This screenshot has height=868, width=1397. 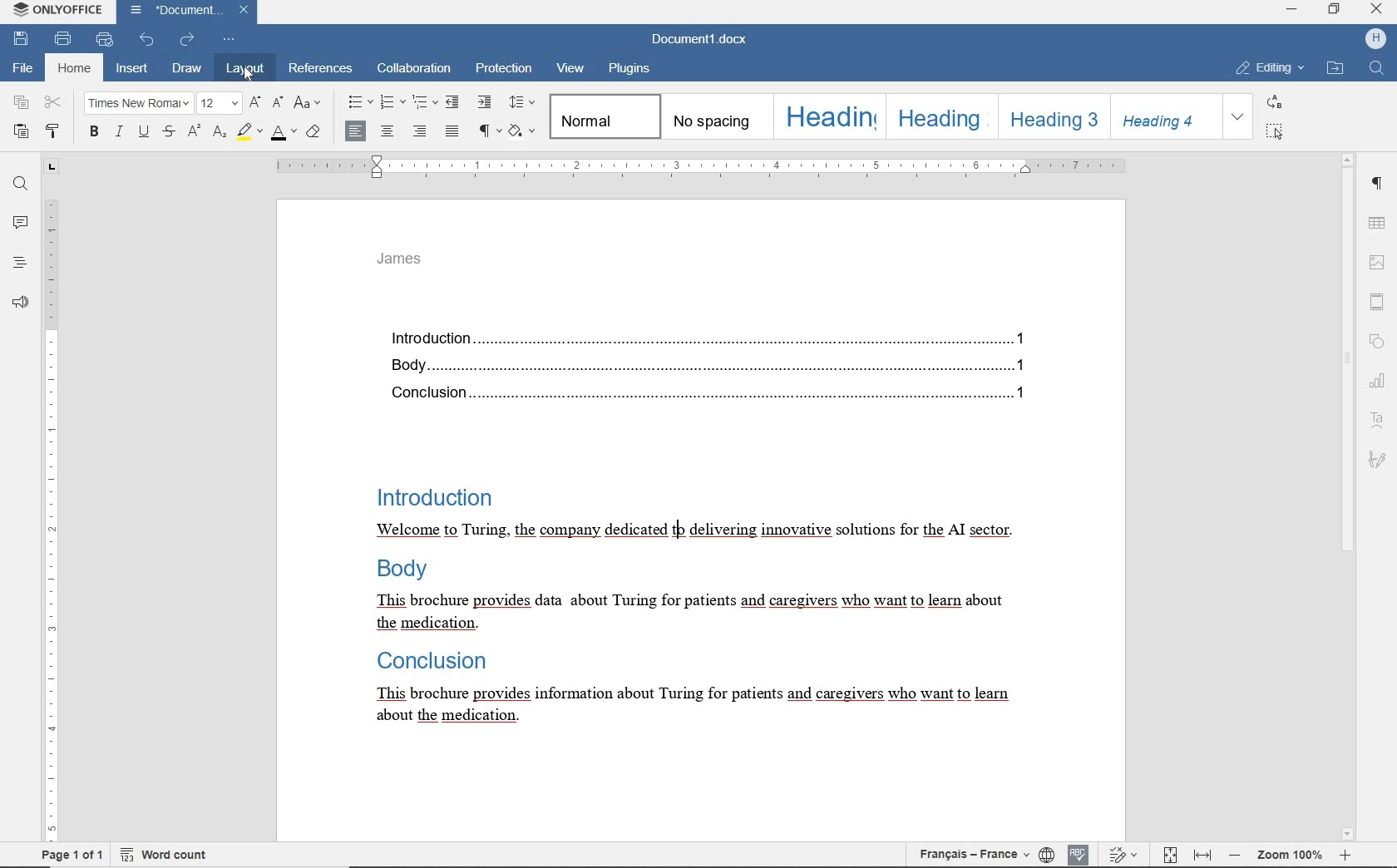 I want to click on decrease indent, so click(x=453, y=101).